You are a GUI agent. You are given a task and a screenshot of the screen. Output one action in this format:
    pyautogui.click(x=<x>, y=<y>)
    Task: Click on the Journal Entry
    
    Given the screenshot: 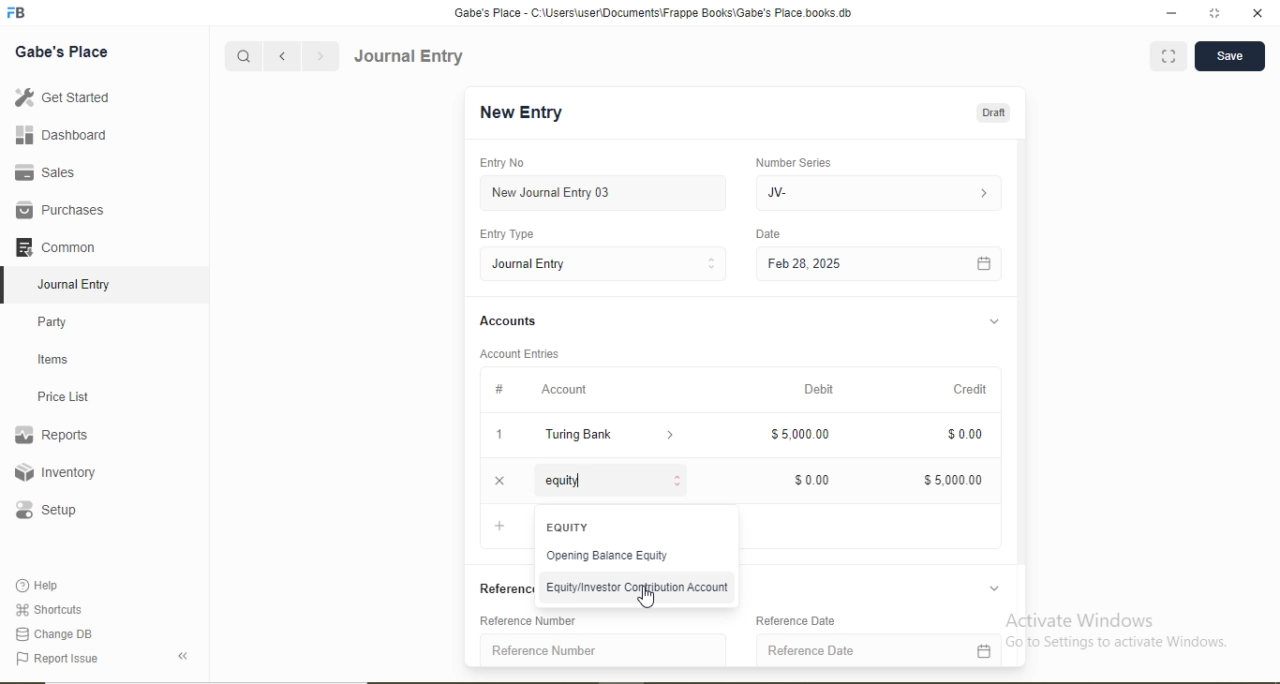 What is the action you would take?
    pyautogui.click(x=410, y=56)
    